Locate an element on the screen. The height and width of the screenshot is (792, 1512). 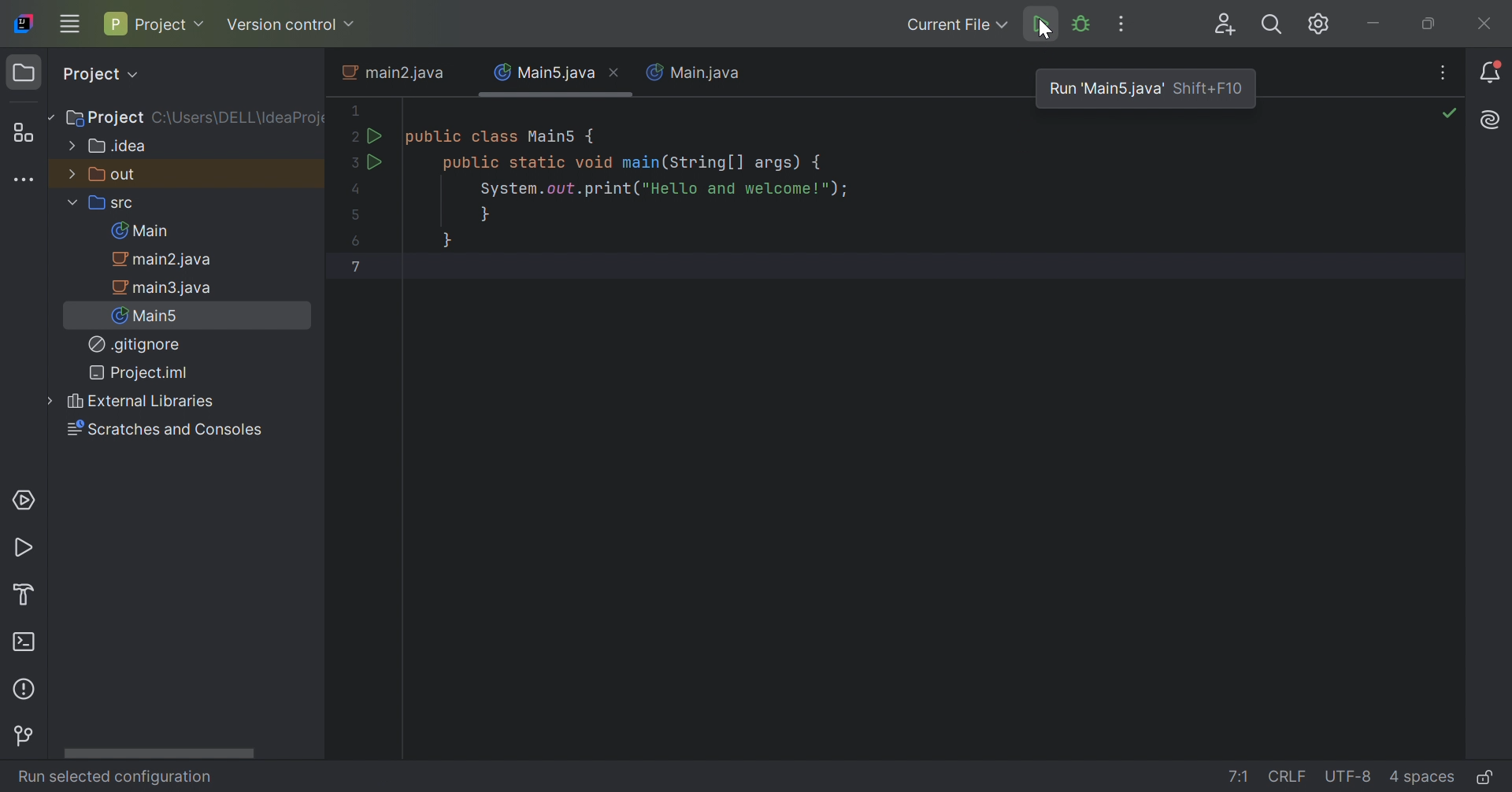
Structure is located at coordinates (24, 131).